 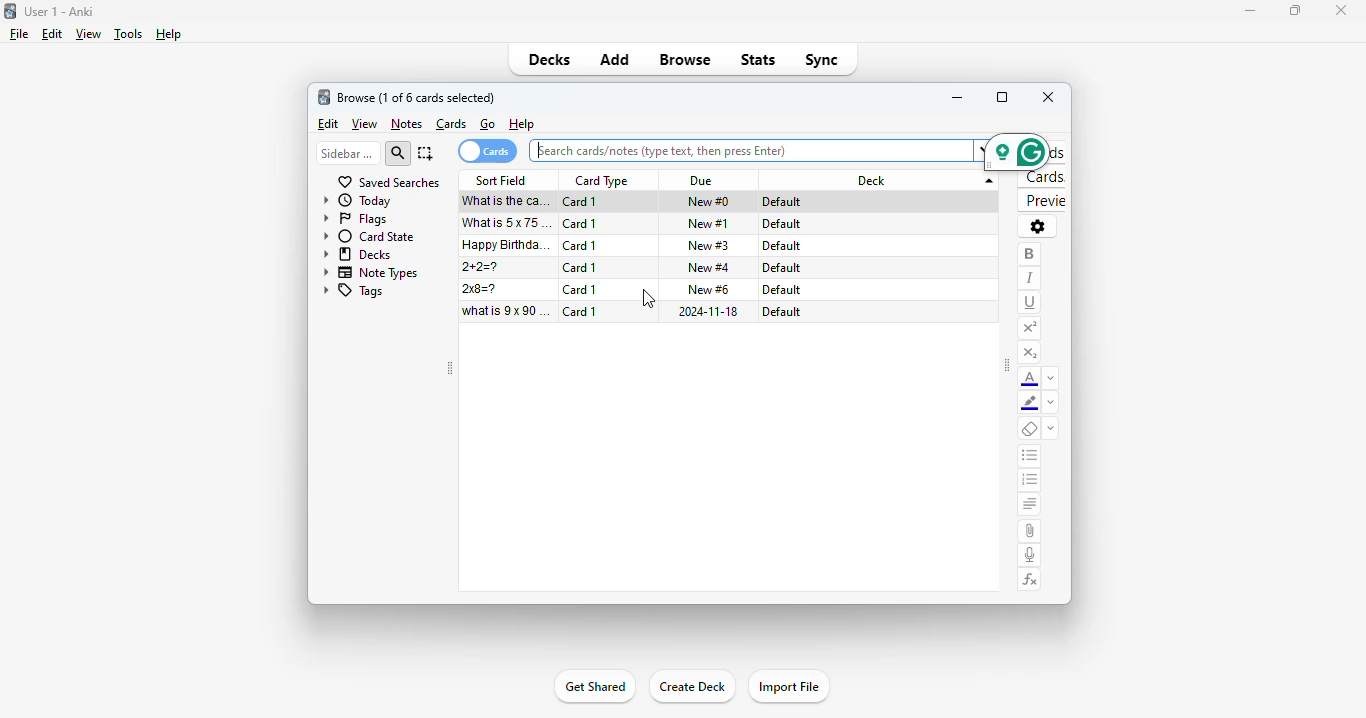 What do you see at coordinates (1340, 9) in the screenshot?
I see `close` at bounding box center [1340, 9].